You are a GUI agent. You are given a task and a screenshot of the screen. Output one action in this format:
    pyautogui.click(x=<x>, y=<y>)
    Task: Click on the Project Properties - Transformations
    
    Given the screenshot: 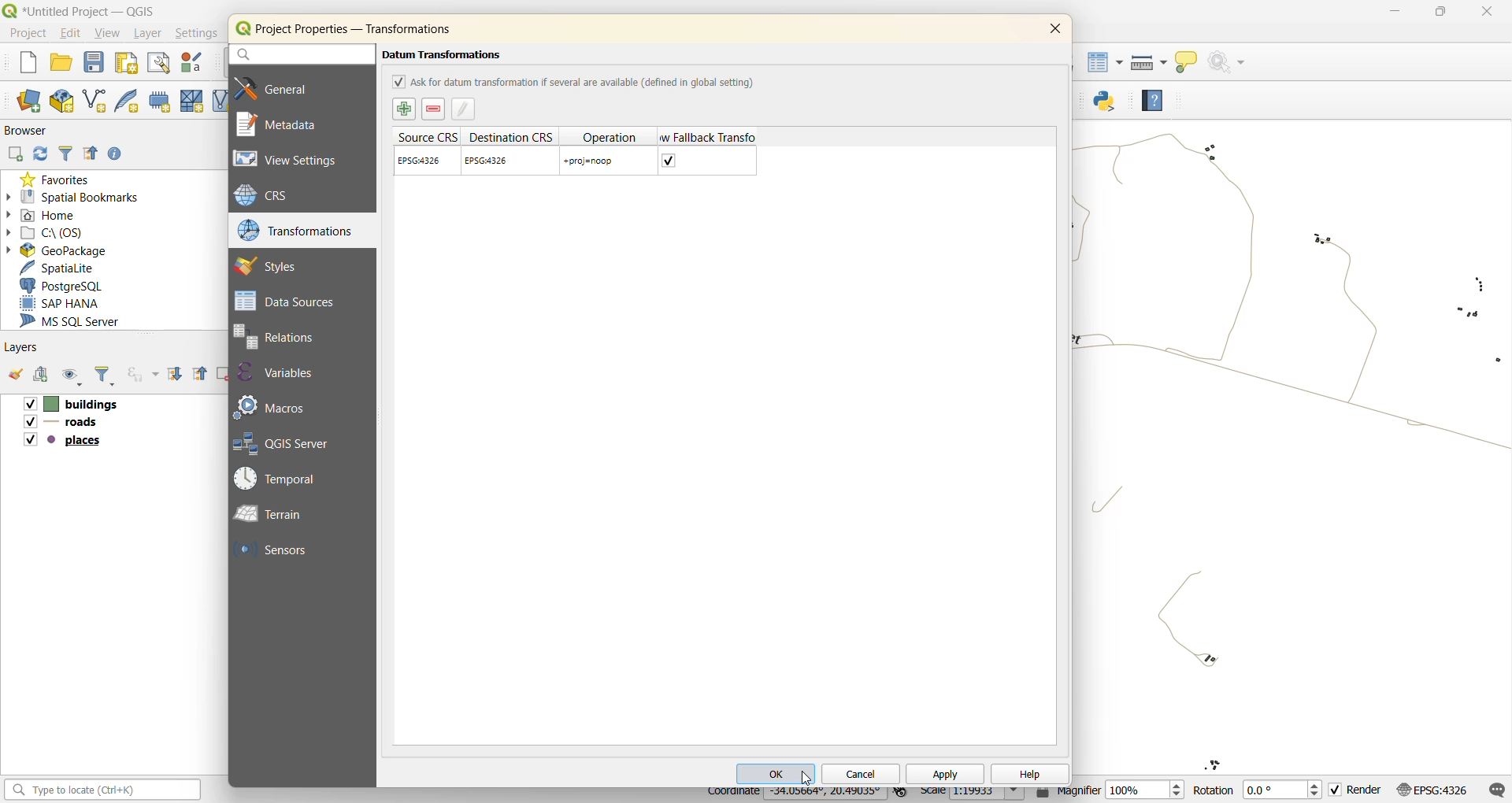 What is the action you would take?
    pyautogui.click(x=370, y=28)
    